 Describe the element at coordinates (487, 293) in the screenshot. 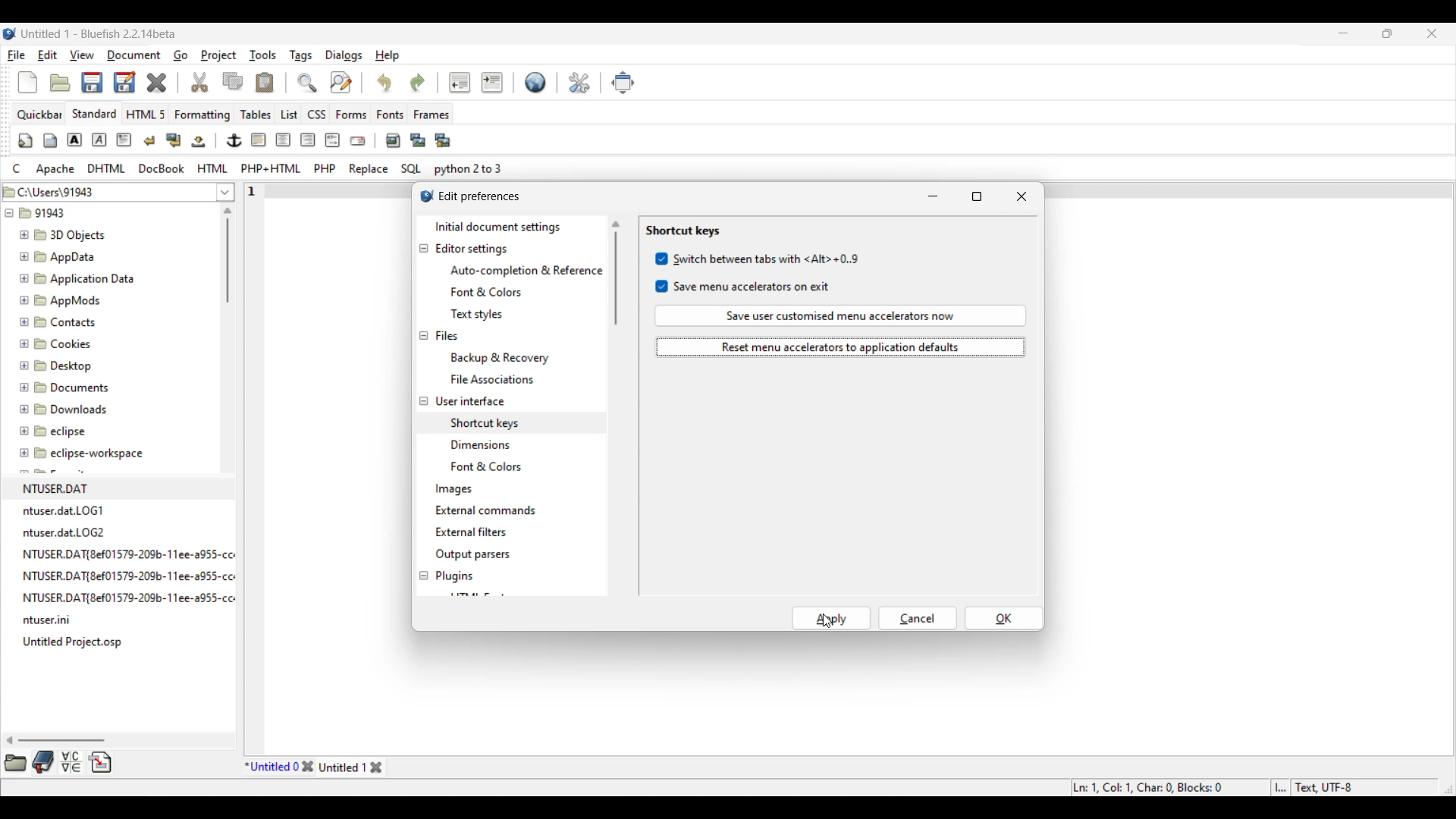

I see `Font & Colors` at that location.